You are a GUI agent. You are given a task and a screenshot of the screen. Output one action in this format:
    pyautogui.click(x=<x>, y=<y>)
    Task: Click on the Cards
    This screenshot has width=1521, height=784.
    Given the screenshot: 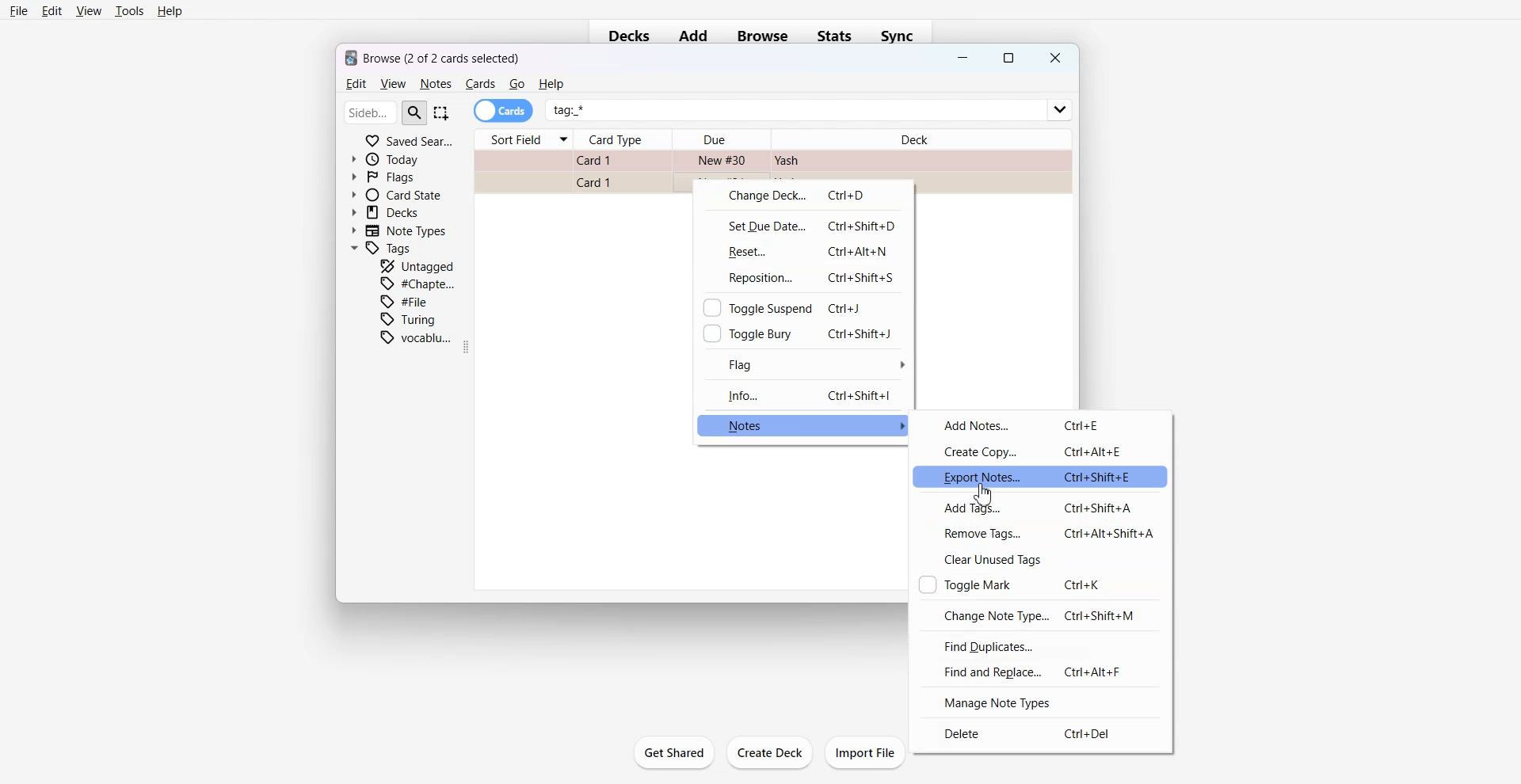 What is the action you would take?
    pyautogui.click(x=480, y=84)
    